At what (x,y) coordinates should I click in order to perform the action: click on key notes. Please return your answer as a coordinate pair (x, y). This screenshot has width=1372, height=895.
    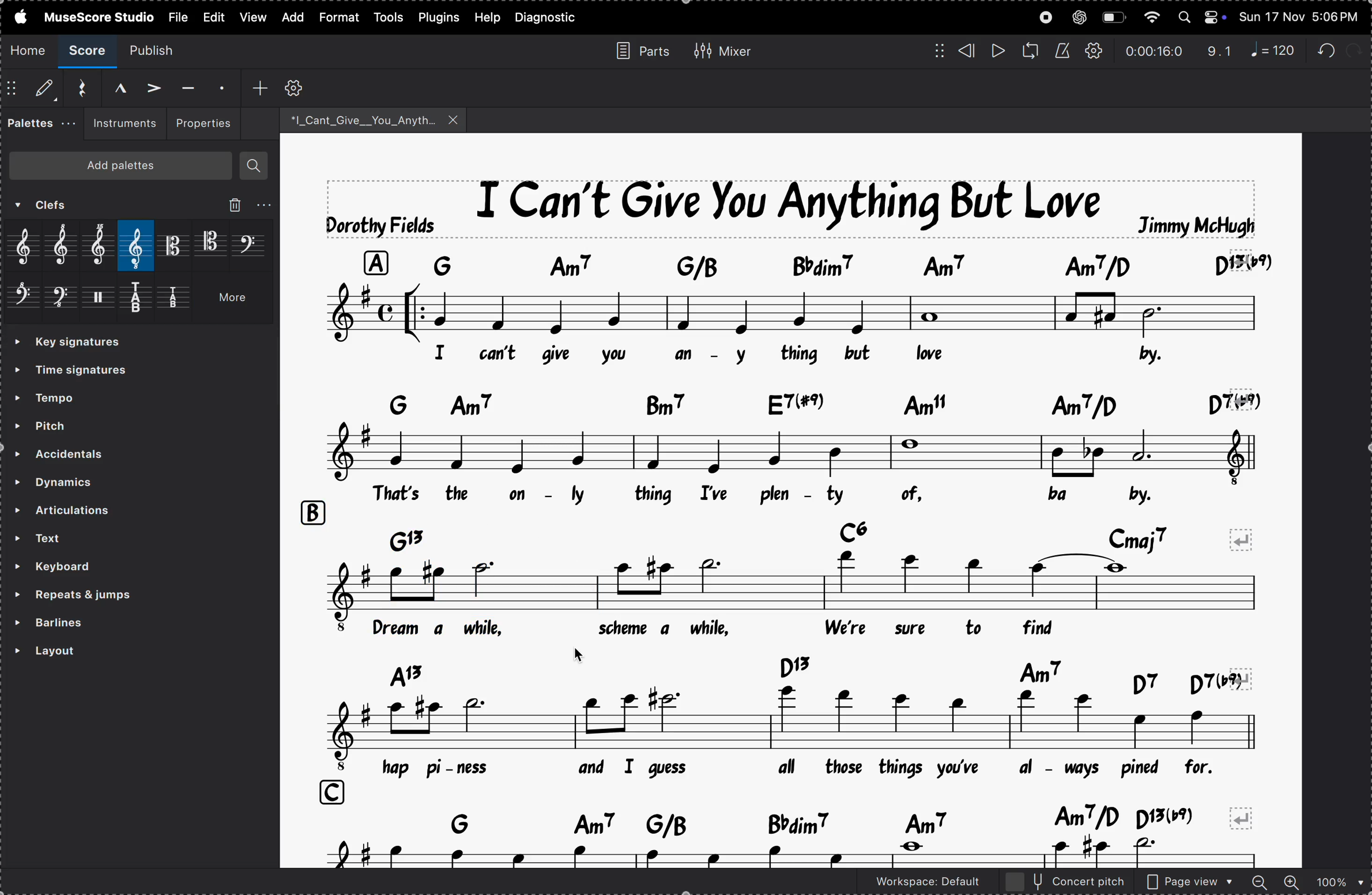
    Looking at the image, I should click on (806, 401).